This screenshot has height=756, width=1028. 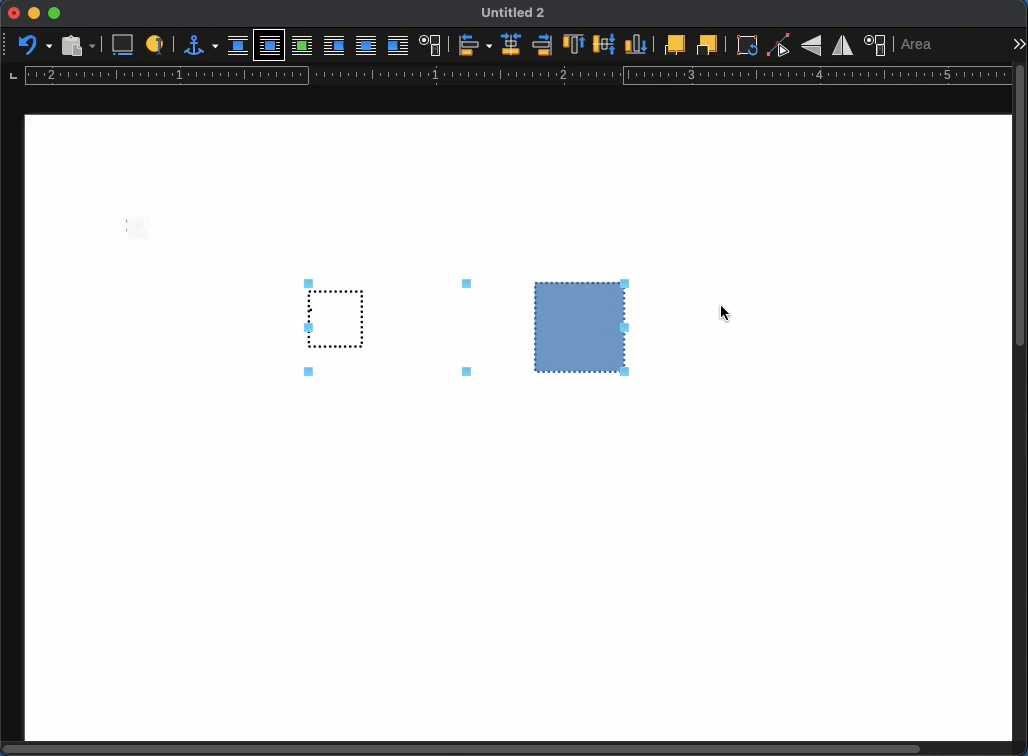 I want to click on align objects, so click(x=472, y=45).